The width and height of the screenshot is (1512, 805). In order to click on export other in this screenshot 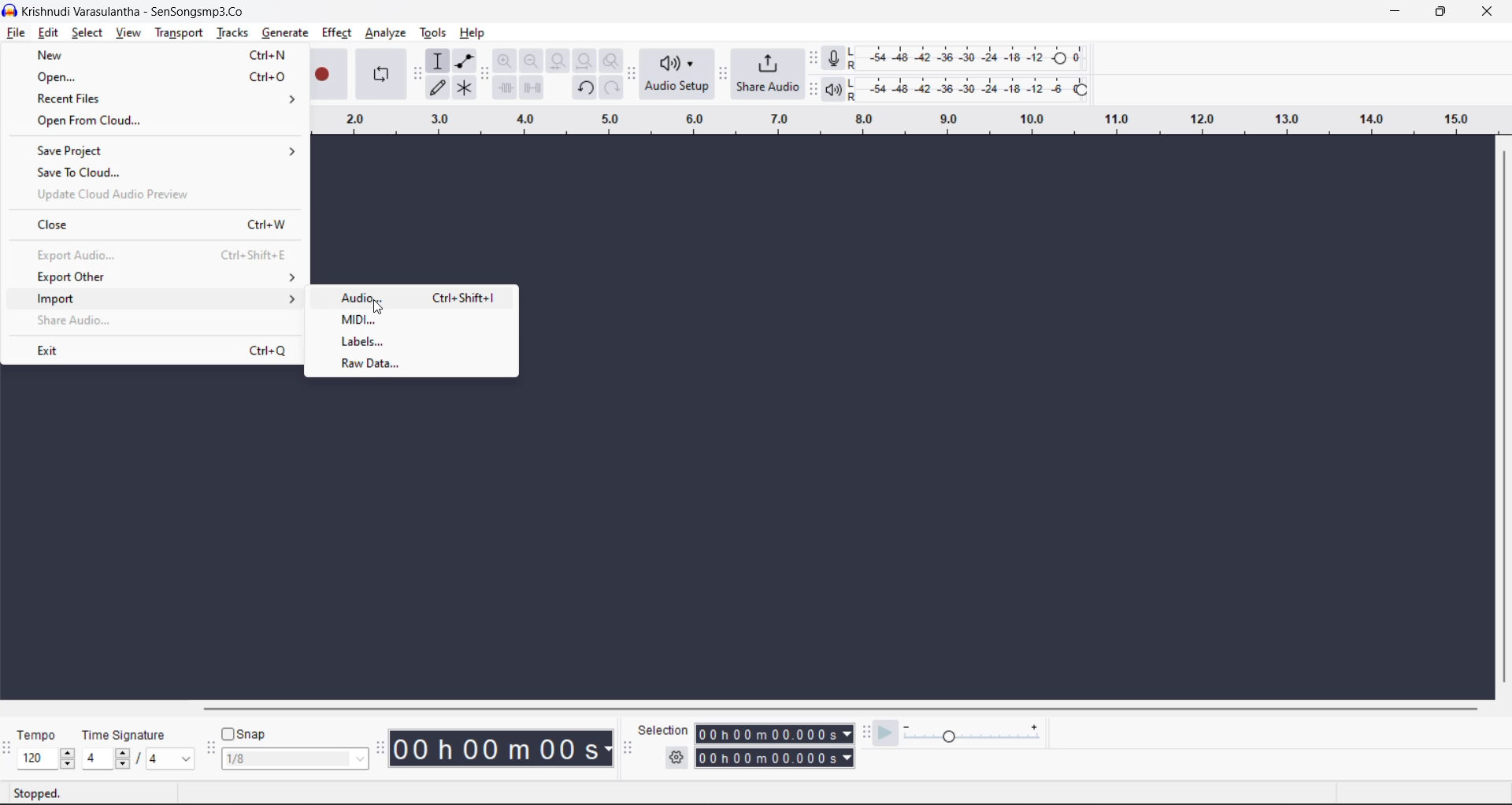, I will do `click(164, 276)`.